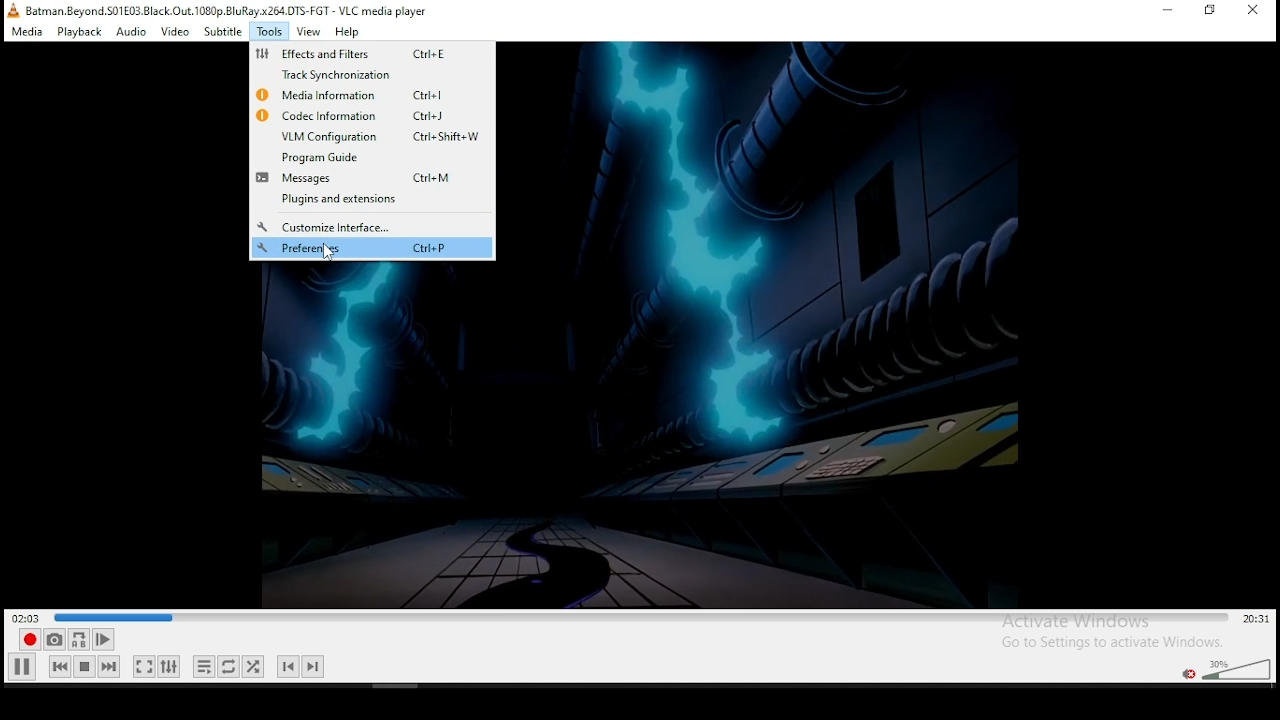  What do you see at coordinates (100, 640) in the screenshot?
I see `frame by frame` at bounding box center [100, 640].